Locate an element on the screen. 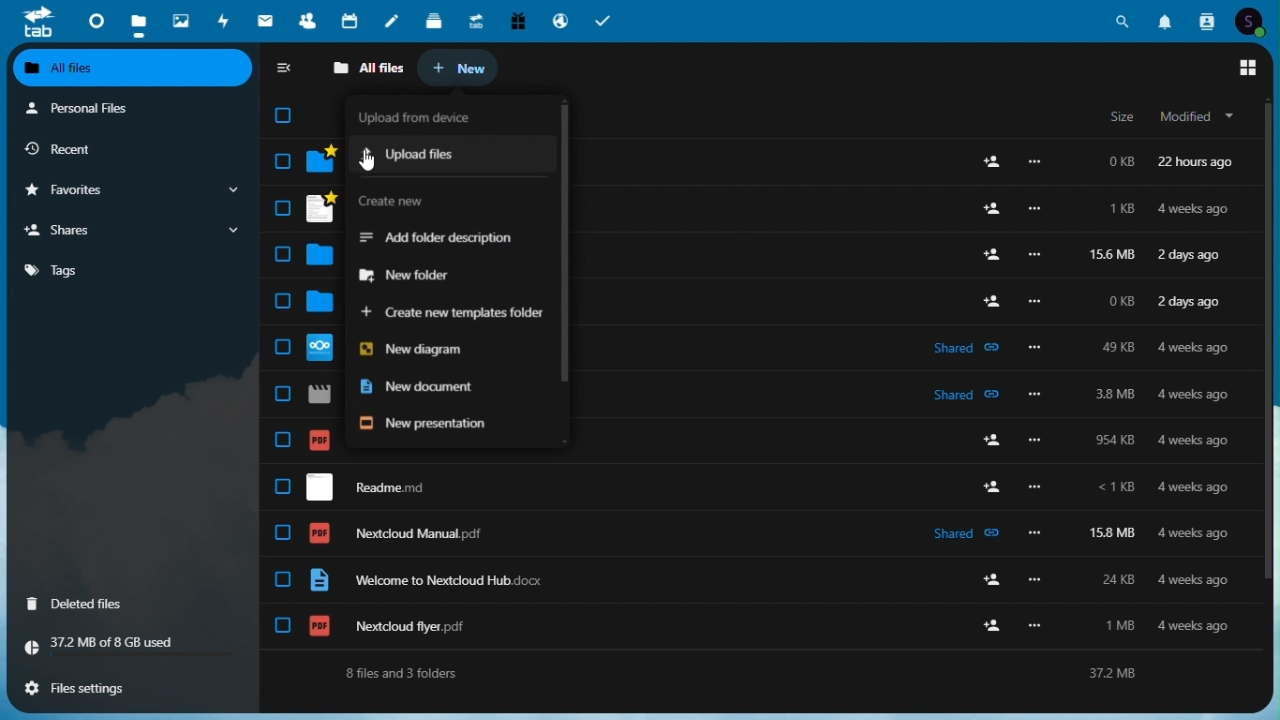 The height and width of the screenshot is (720, 1280). Contacts is located at coordinates (1205, 20).